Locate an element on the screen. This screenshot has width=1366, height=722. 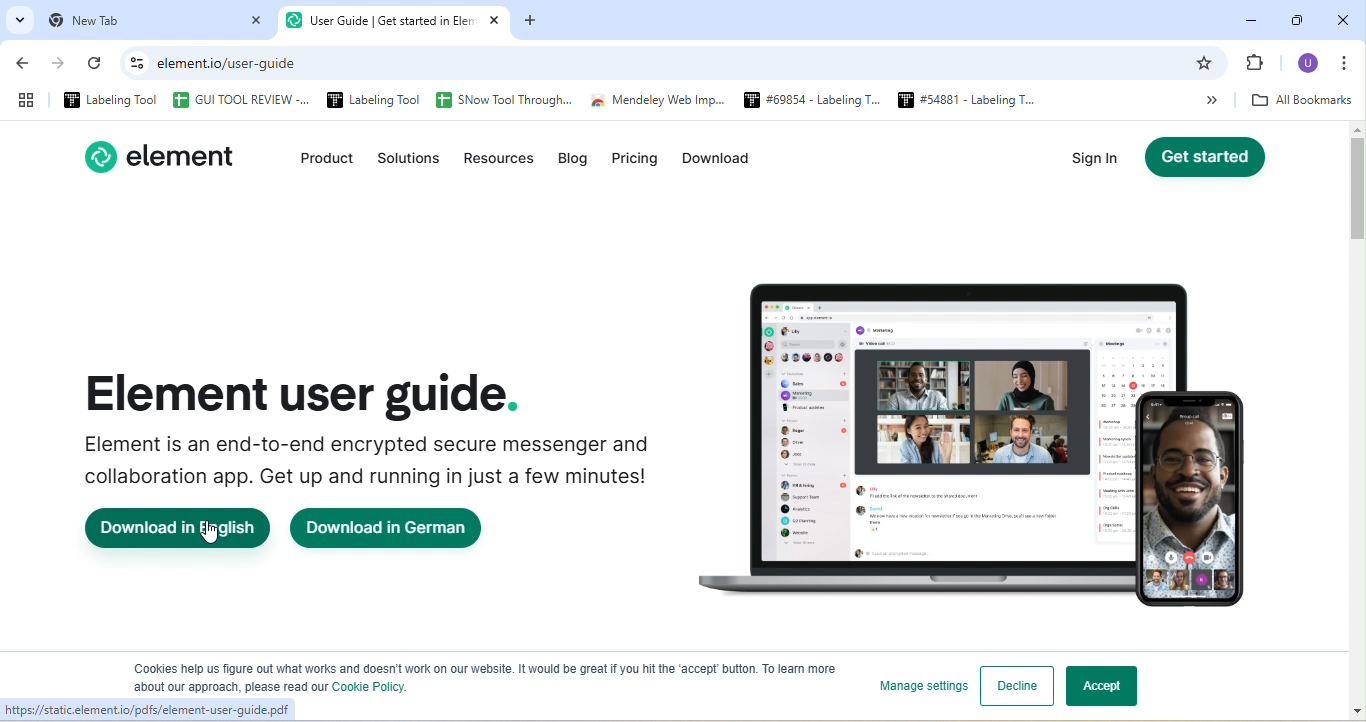
‘Cookies help us figure out what works and doesn't work on our website. It would be great if you hit the ‘accept’ button. To lear more
about our approach, please read our Cookie Policy. is located at coordinates (476, 676).